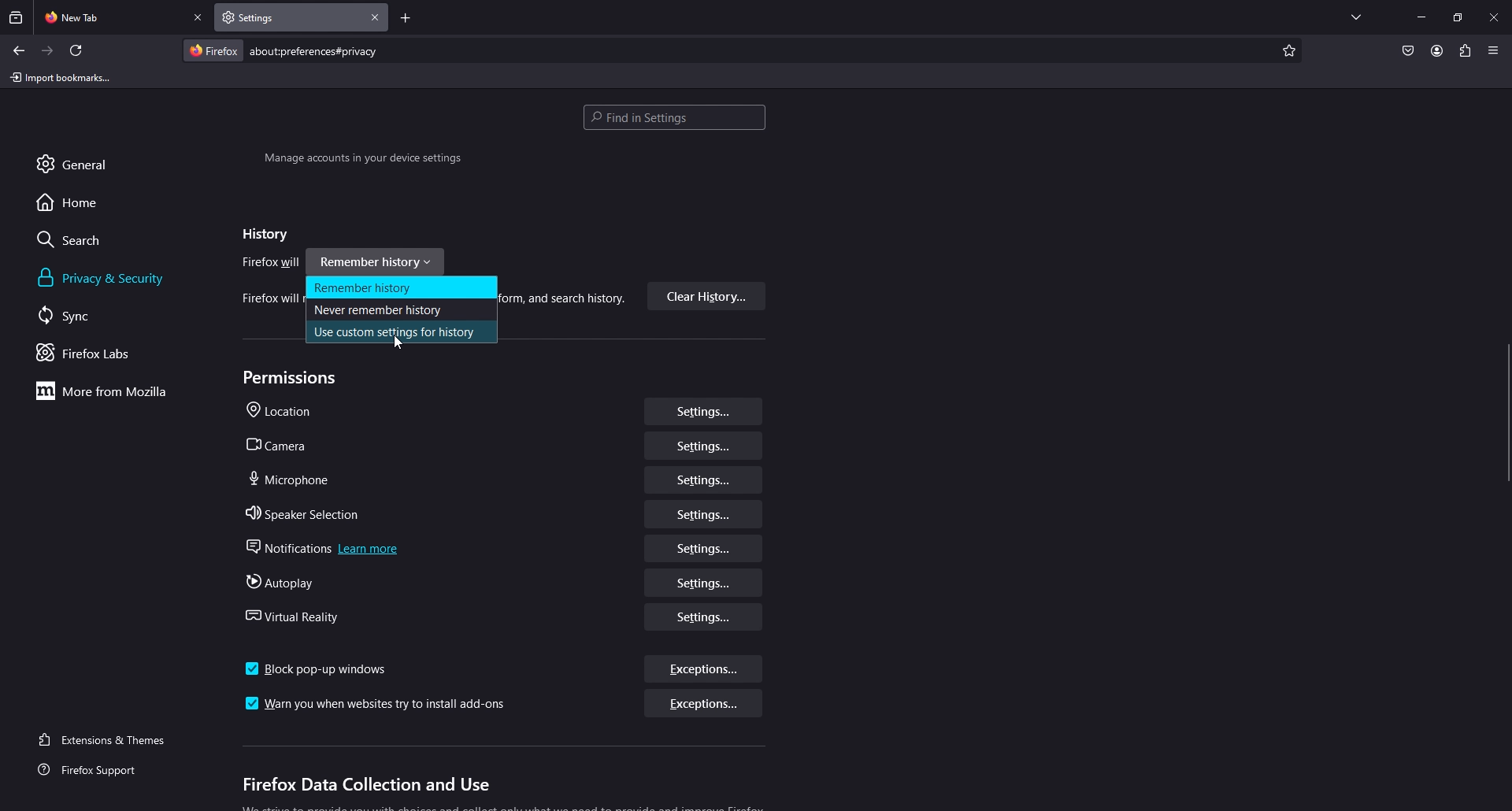 Image resolution: width=1512 pixels, height=811 pixels. What do you see at coordinates (706, 549) in the screenshot?
I see `settings` at bounding box center [706, 549].